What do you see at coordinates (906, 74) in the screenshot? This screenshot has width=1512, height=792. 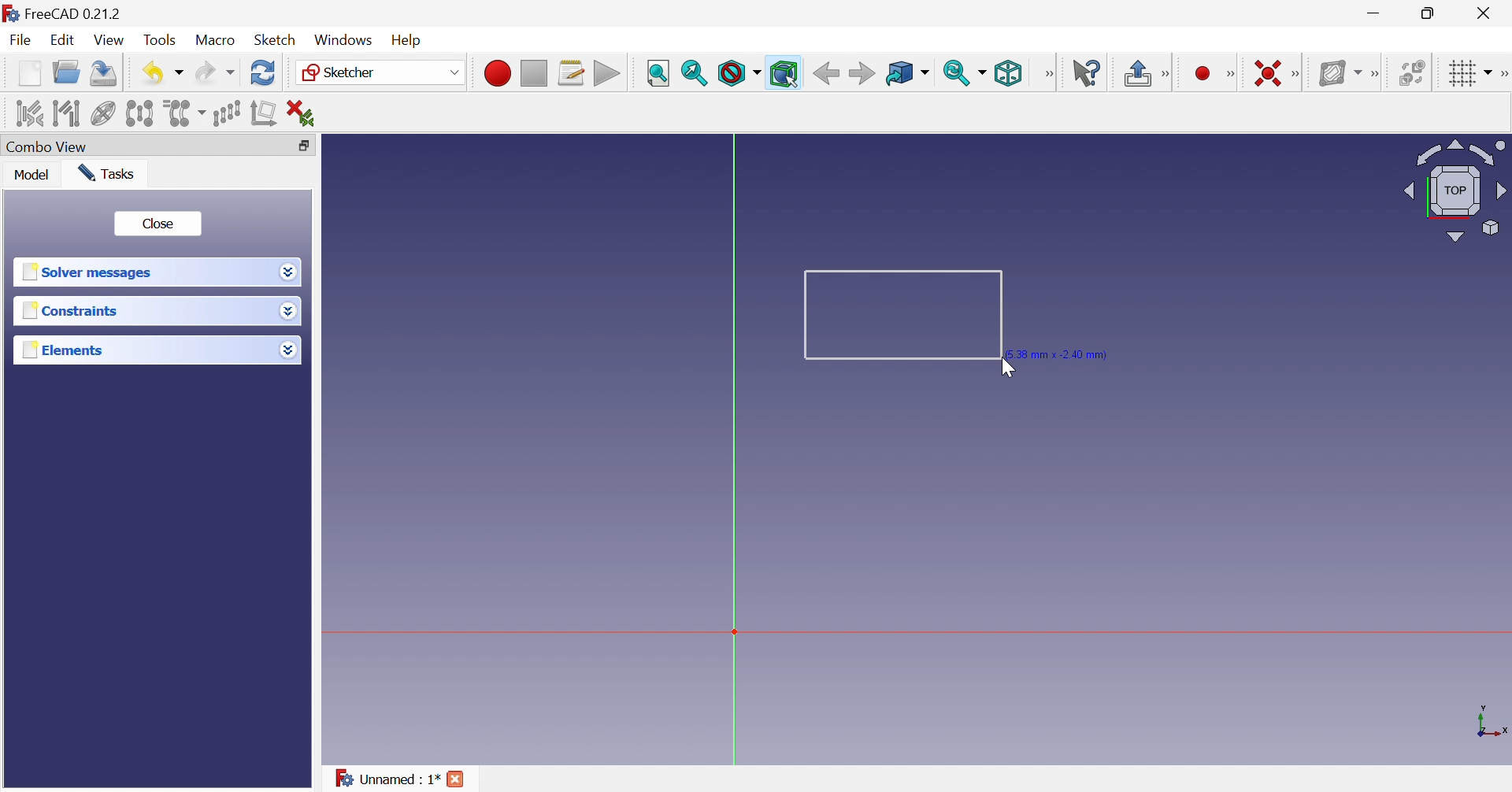 I see `Go to linked object` at bounding box center [906, 74].